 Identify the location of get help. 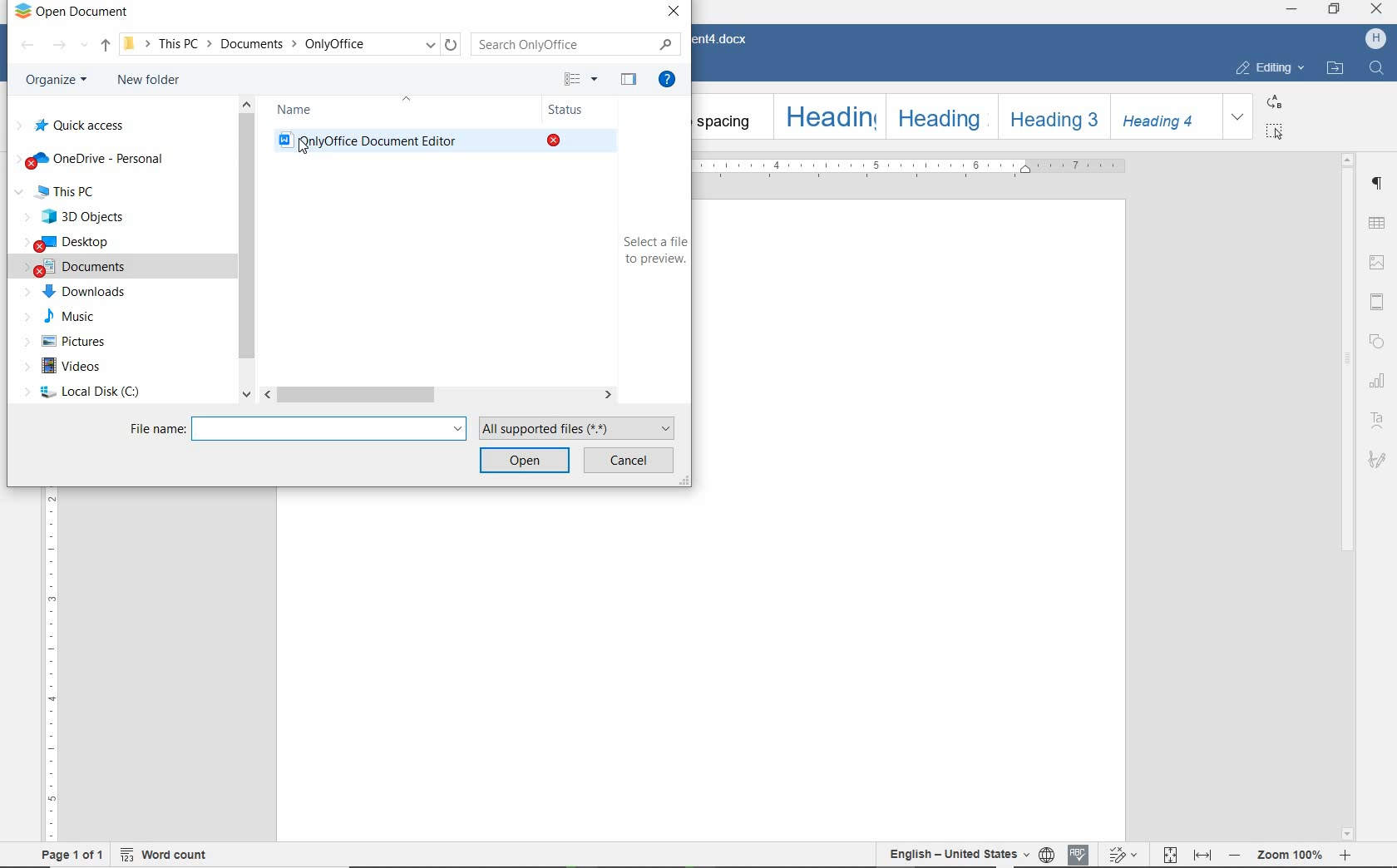
(665, 77).